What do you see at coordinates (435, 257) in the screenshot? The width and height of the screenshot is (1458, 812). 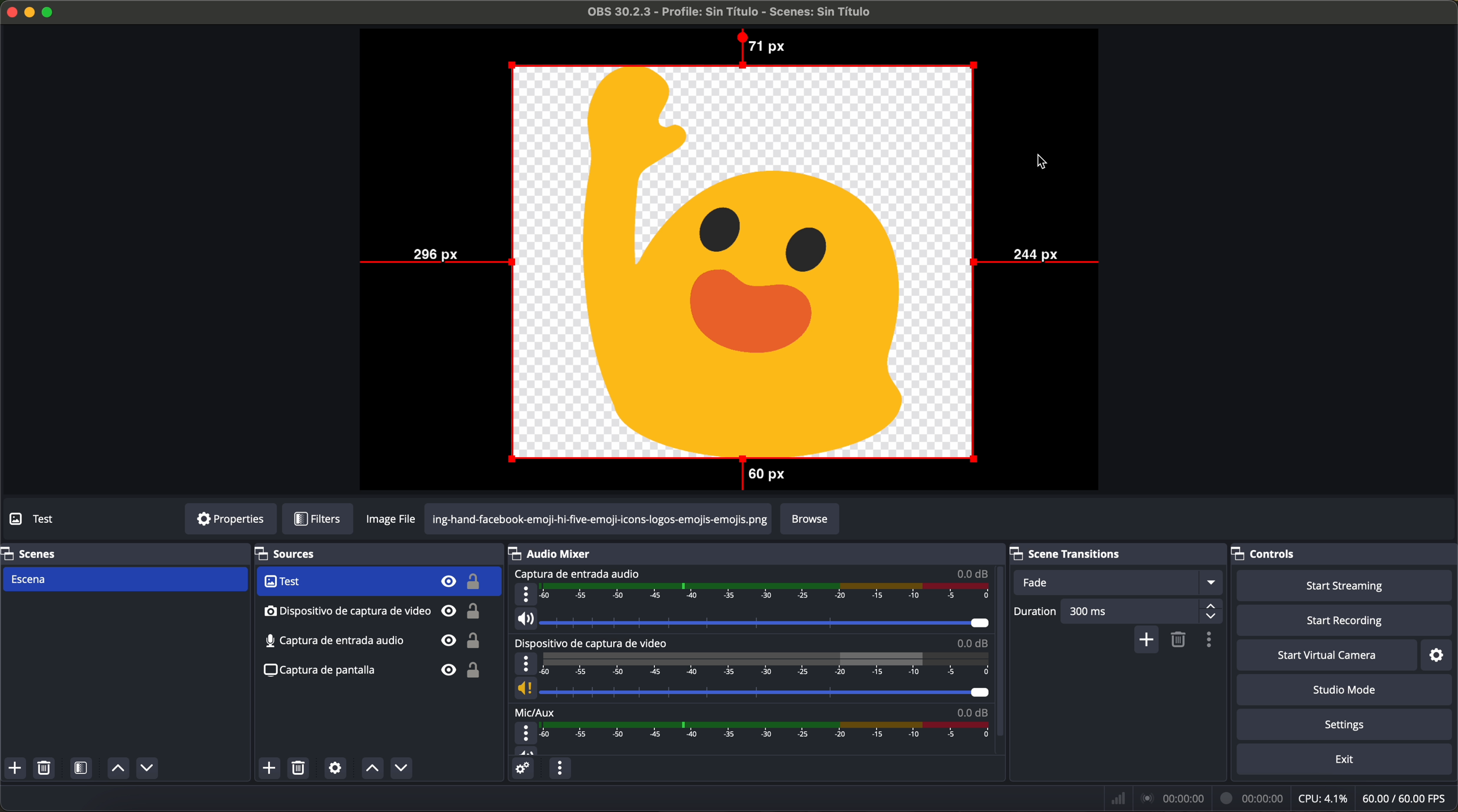 I see `296 px distance` at bounding box center [435, 257].